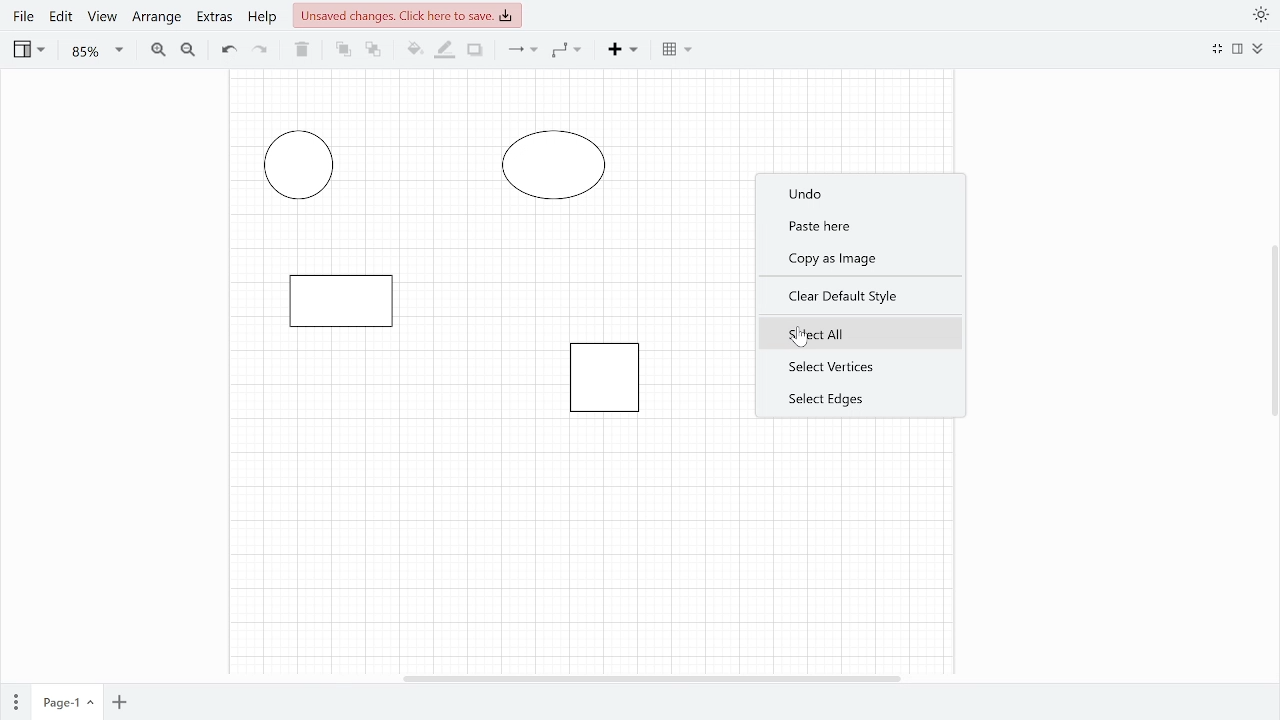  I want to click on pointer, so click(803, 336).